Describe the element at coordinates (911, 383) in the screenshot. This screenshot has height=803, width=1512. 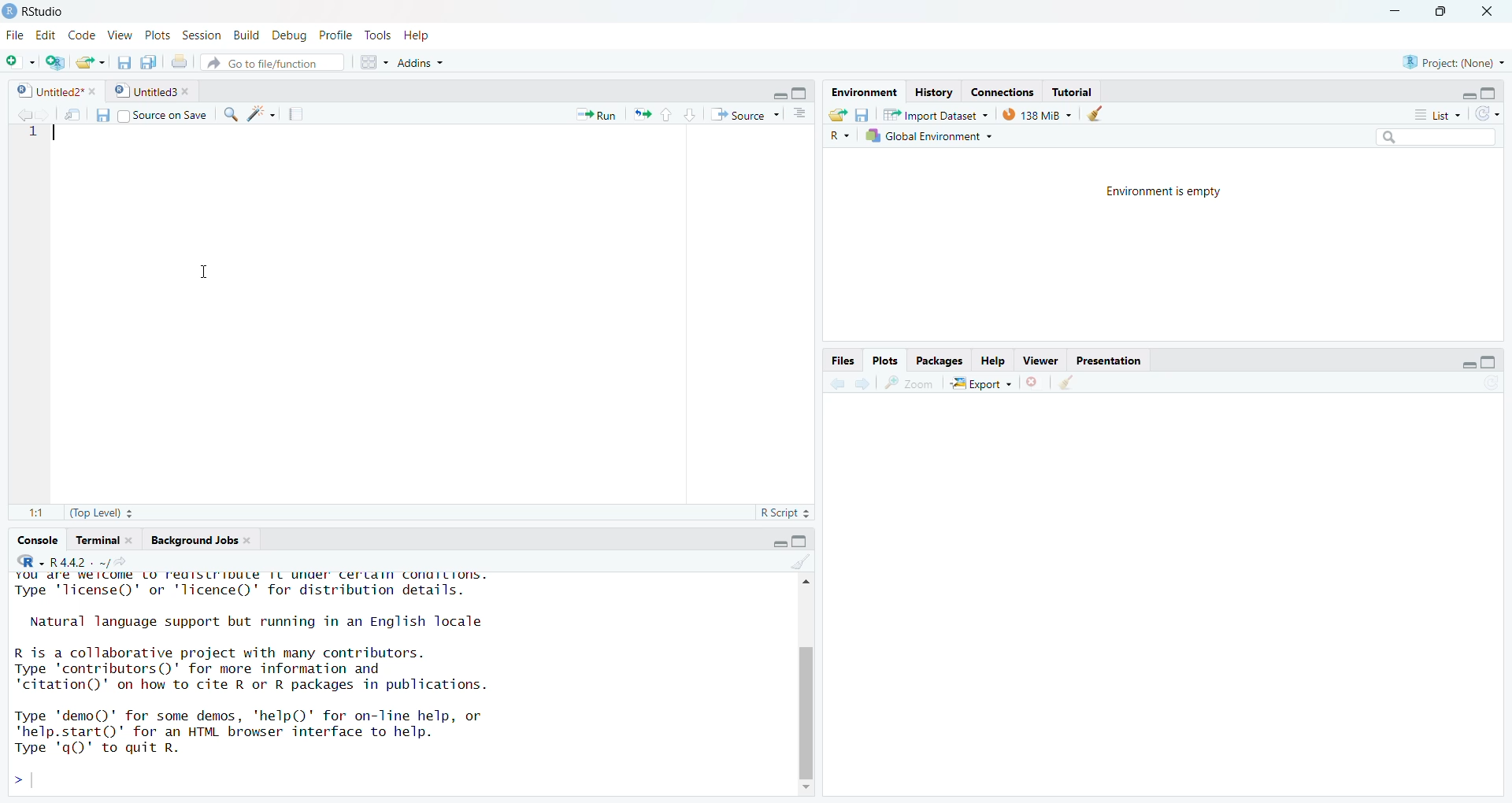
I see `zoom` at that location.